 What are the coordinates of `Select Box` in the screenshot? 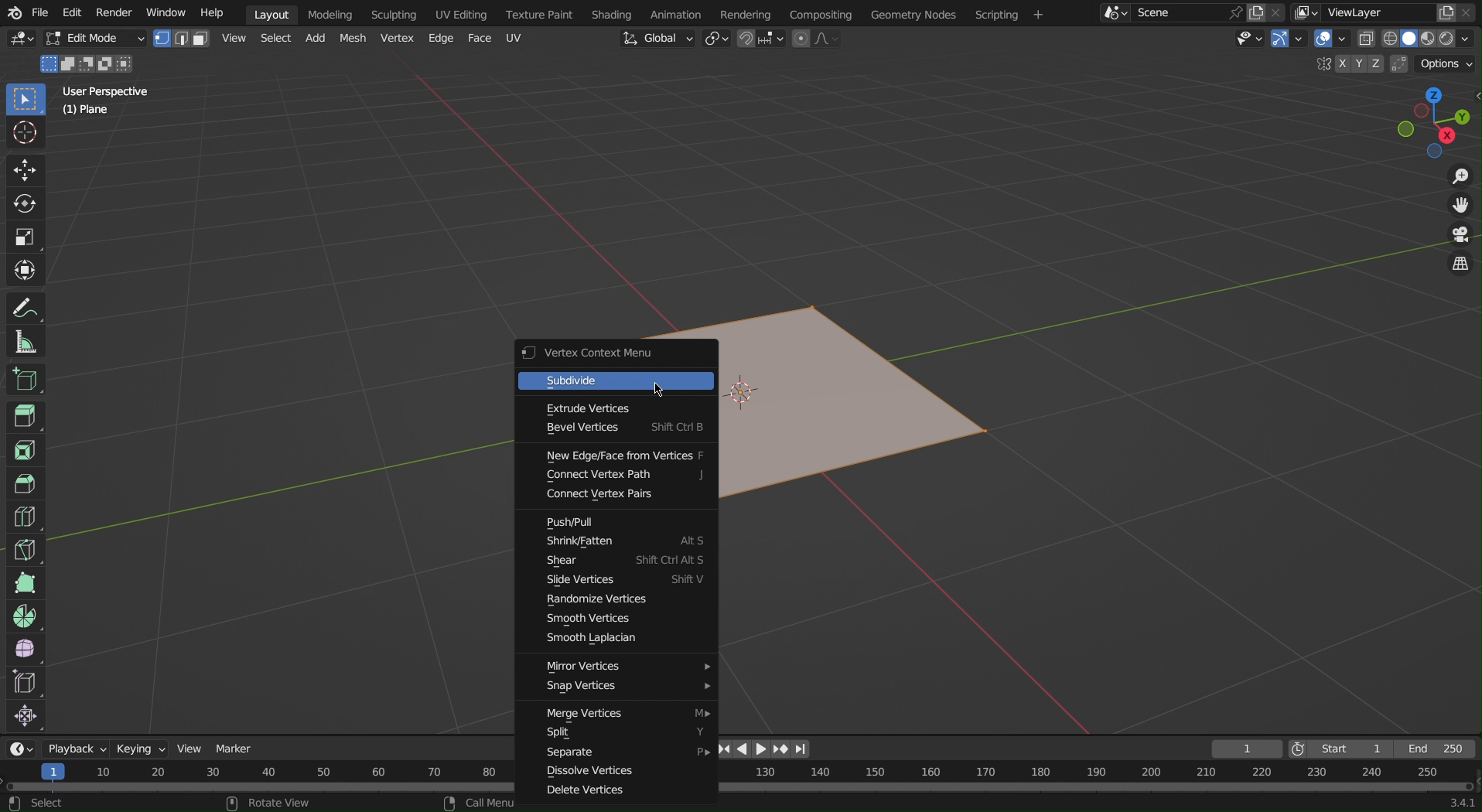 It's located at (25, 101).